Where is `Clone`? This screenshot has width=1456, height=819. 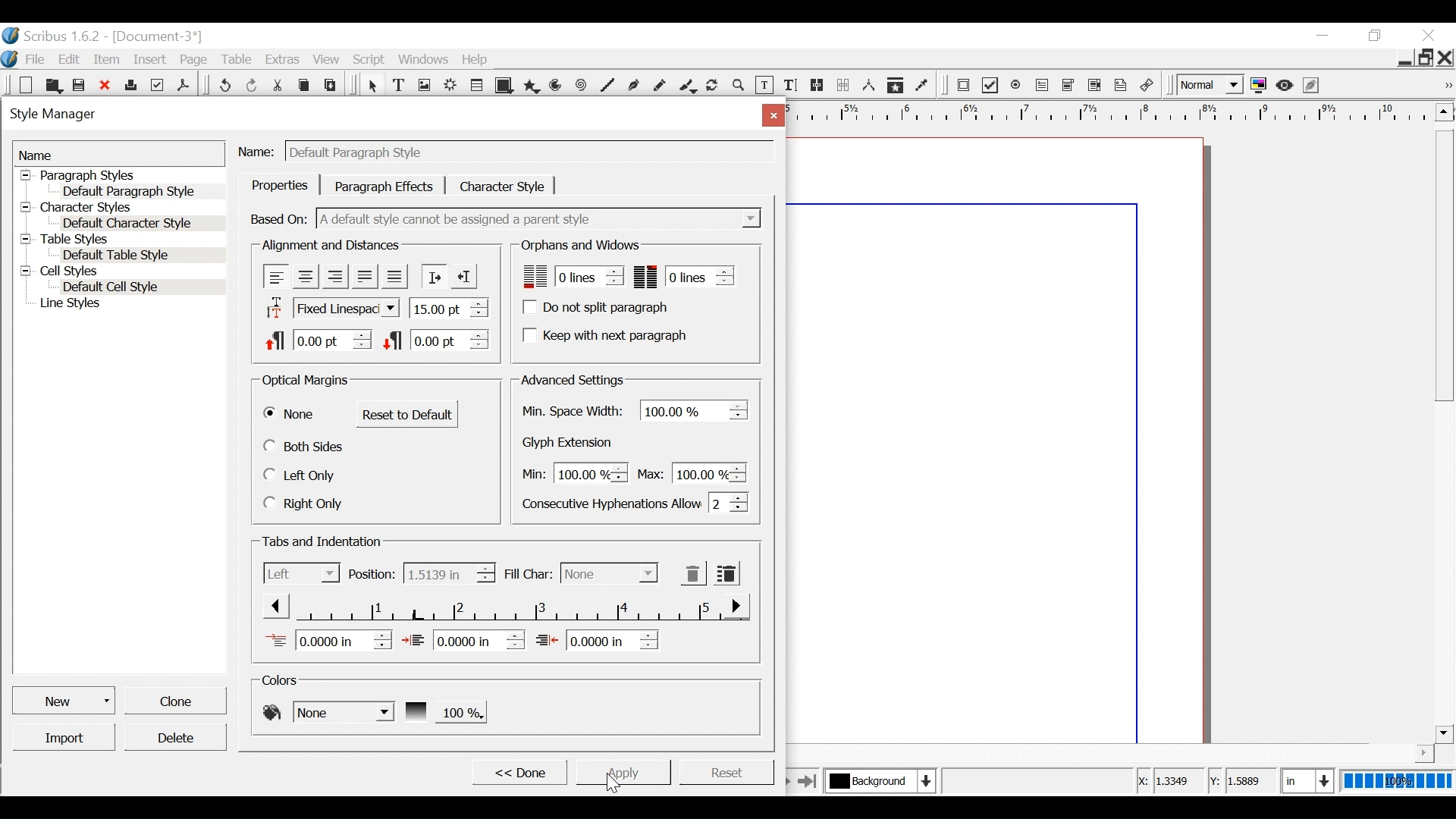 Clone is located at coordinates (174, 699).